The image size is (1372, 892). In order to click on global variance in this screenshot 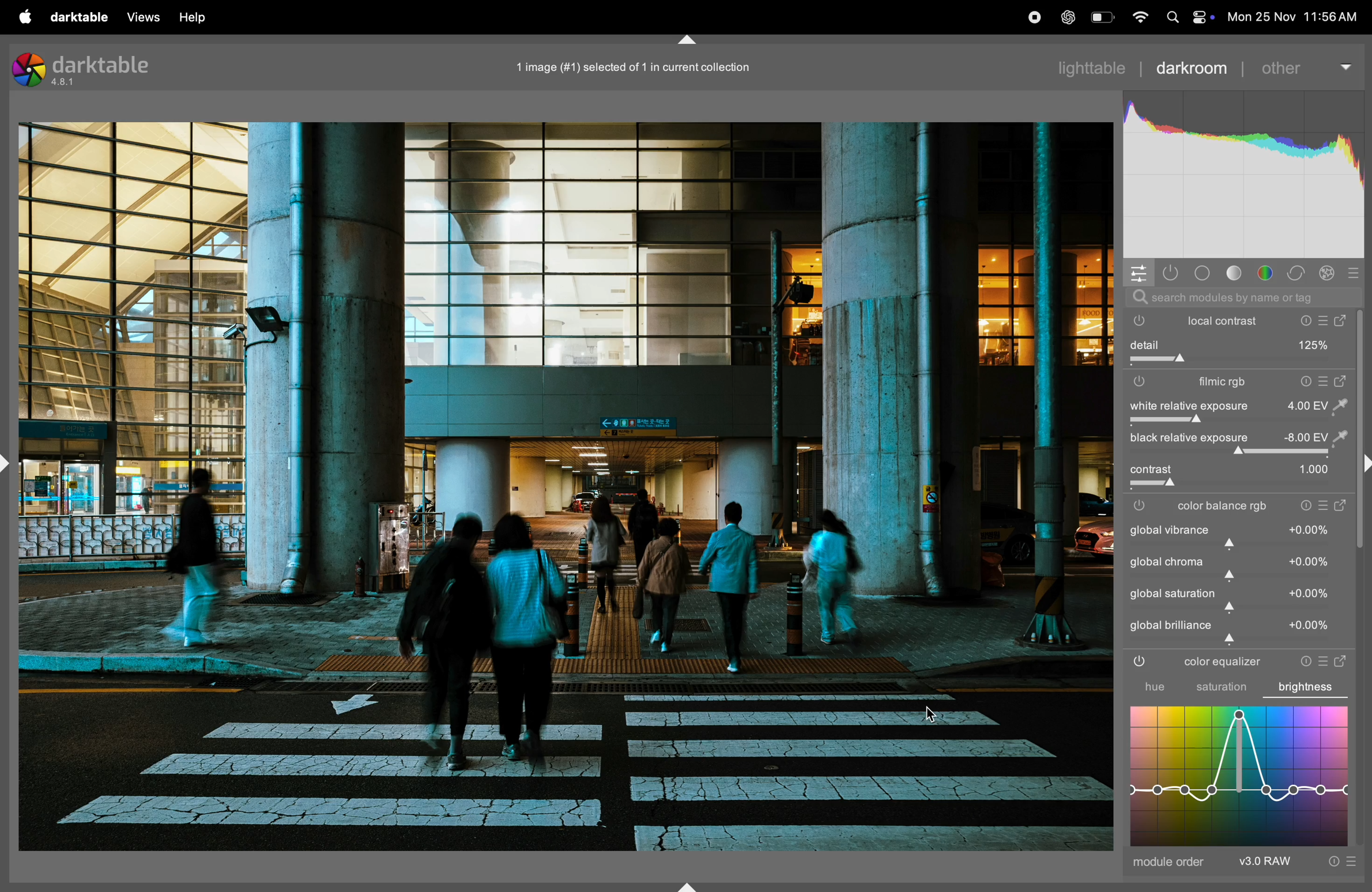, I will do `click(1170, 530)`.